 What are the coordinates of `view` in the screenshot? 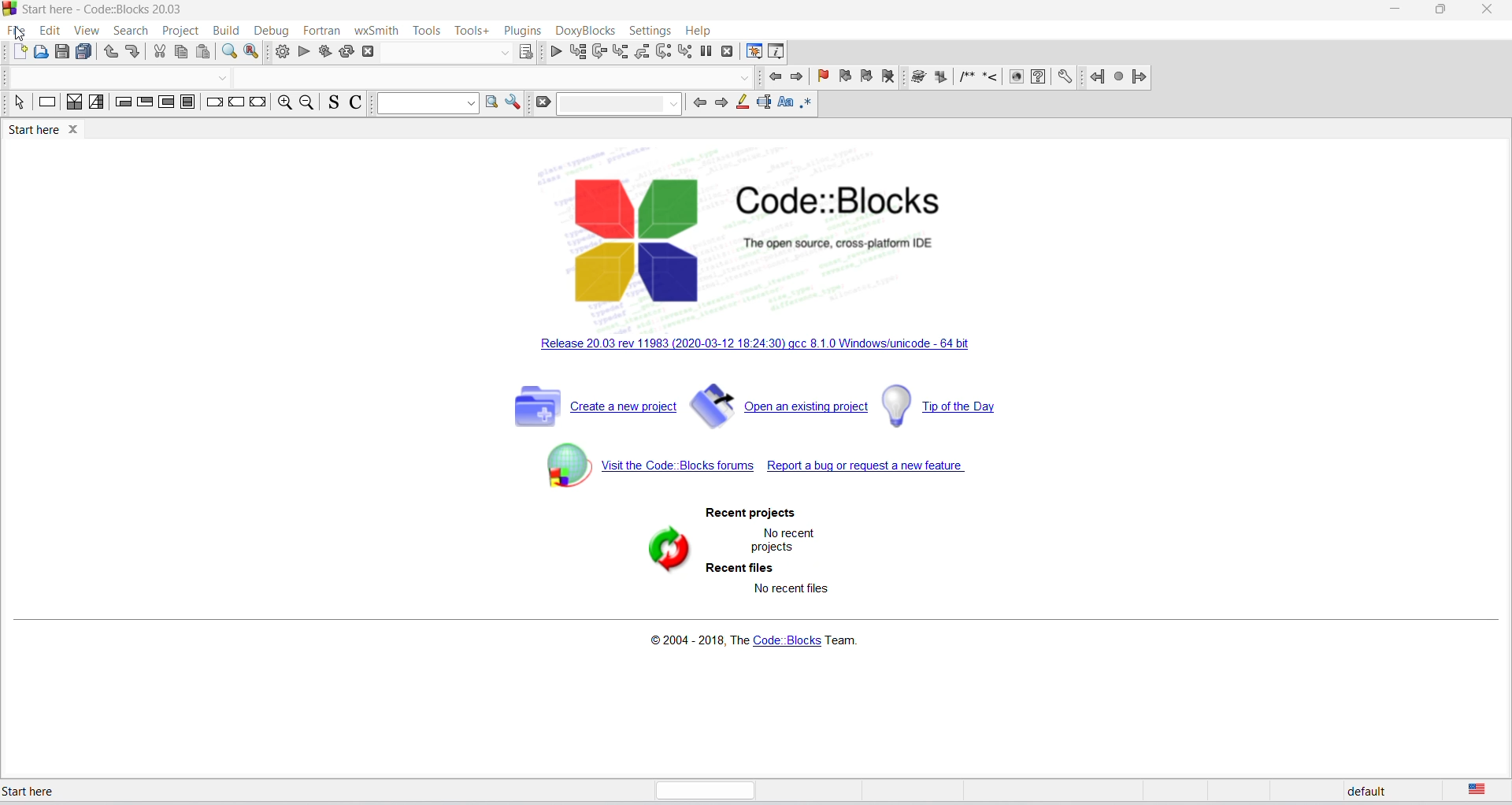 It's located at (89, 31).